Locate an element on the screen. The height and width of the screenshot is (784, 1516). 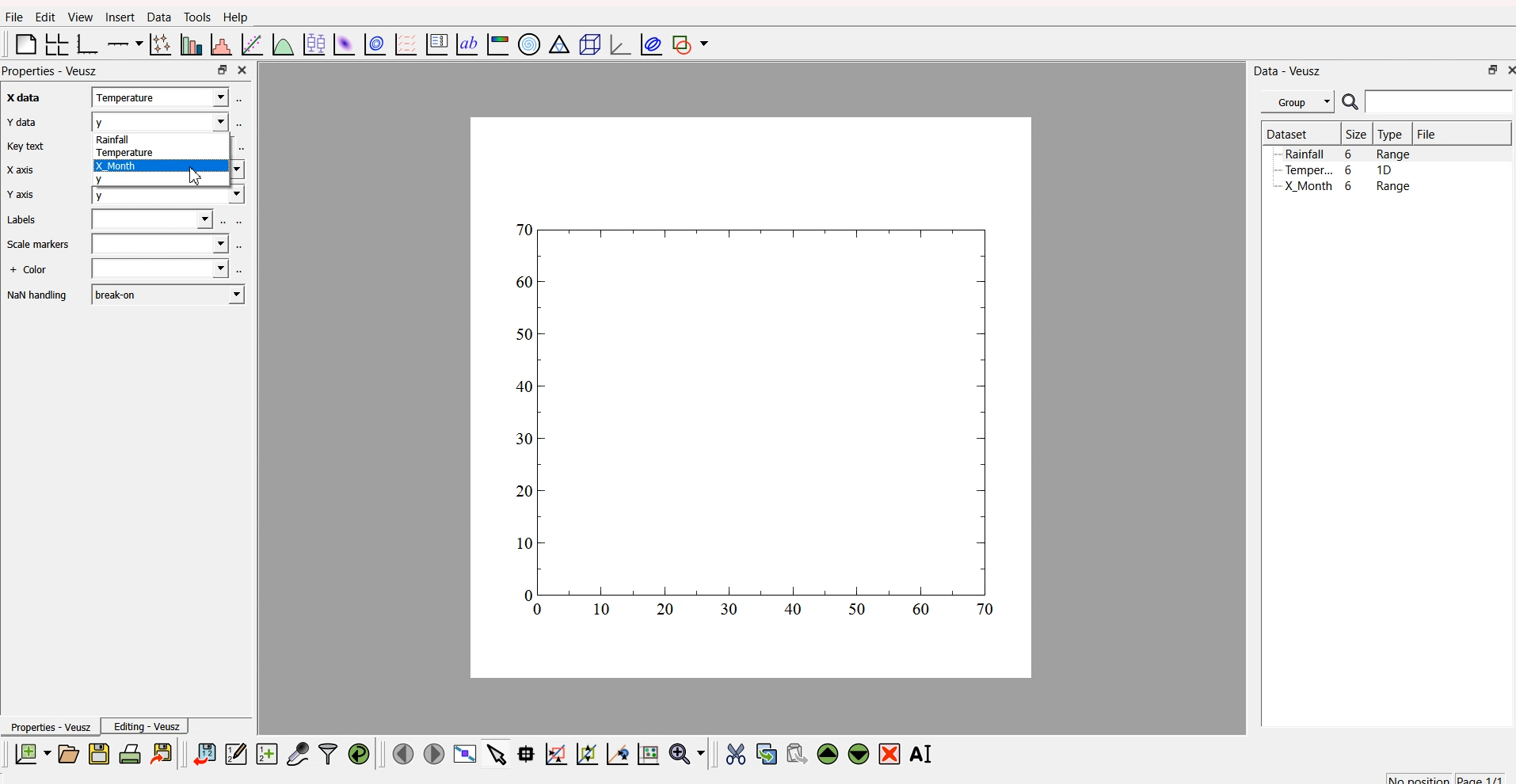
Dataset is located at coordinates (1287, 133).